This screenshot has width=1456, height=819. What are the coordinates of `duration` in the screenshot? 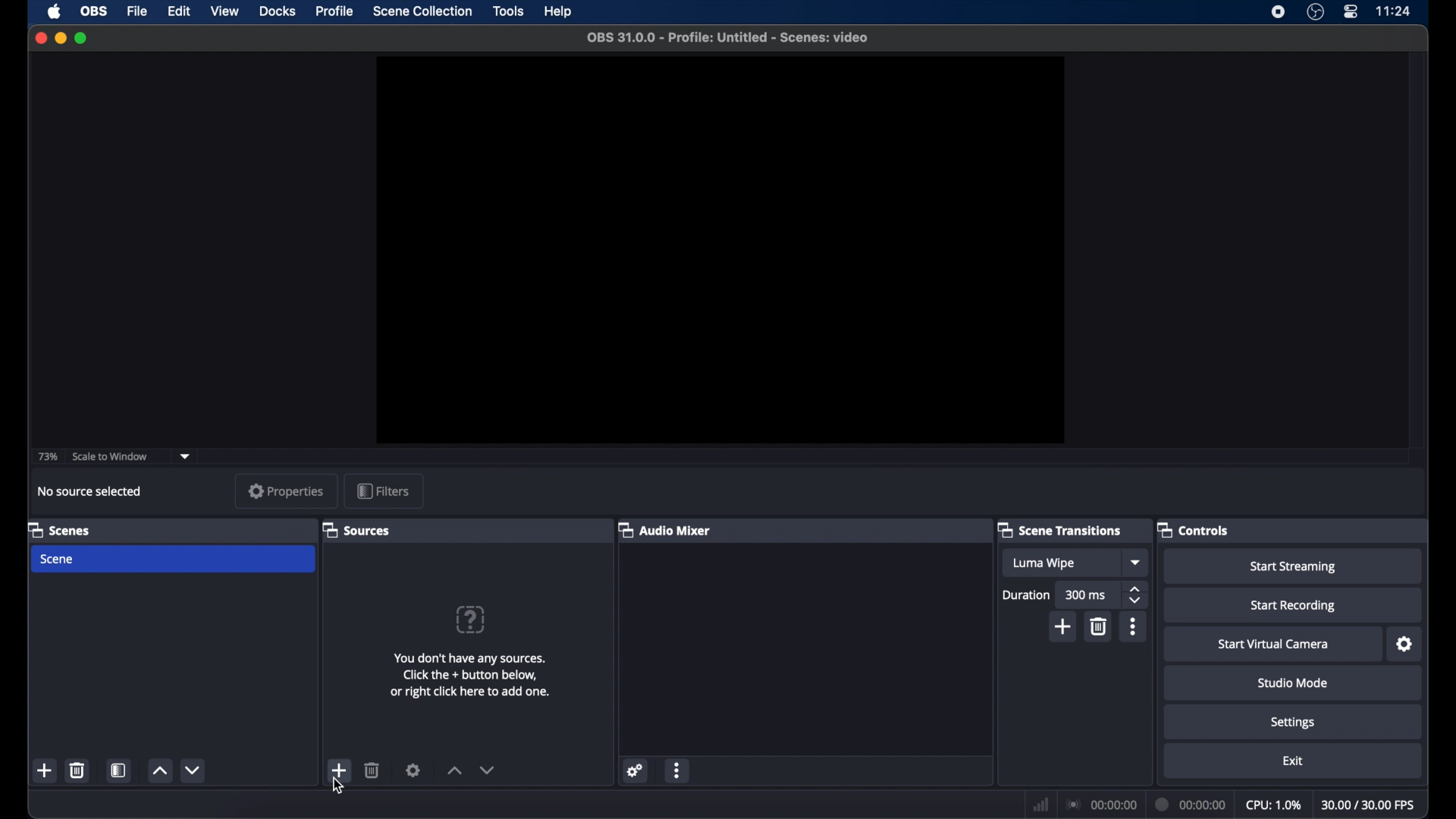 It's located at (1191, 805).